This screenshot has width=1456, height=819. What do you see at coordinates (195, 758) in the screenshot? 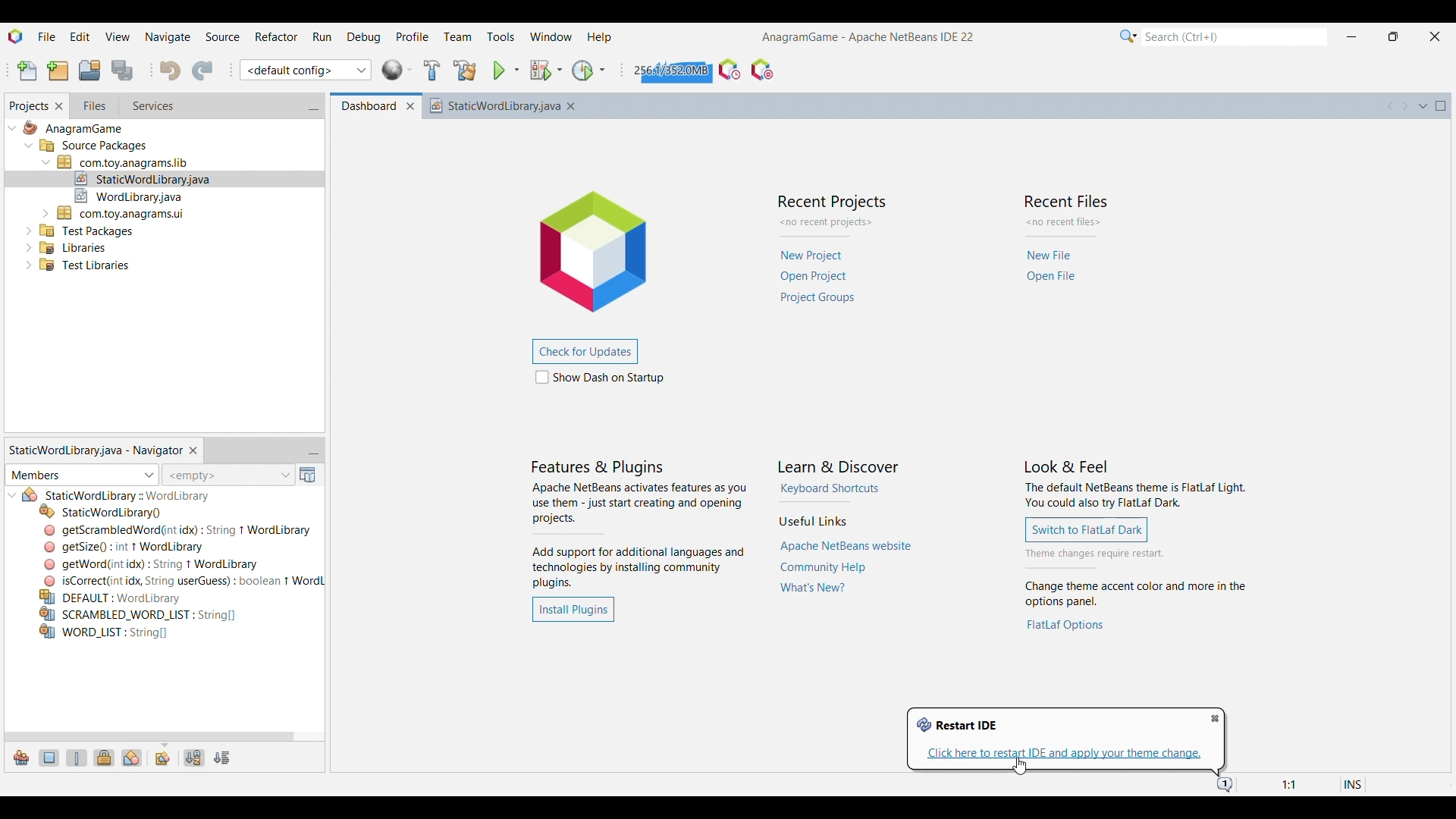
I see `Sort by name` at bounding box center [195, 758].